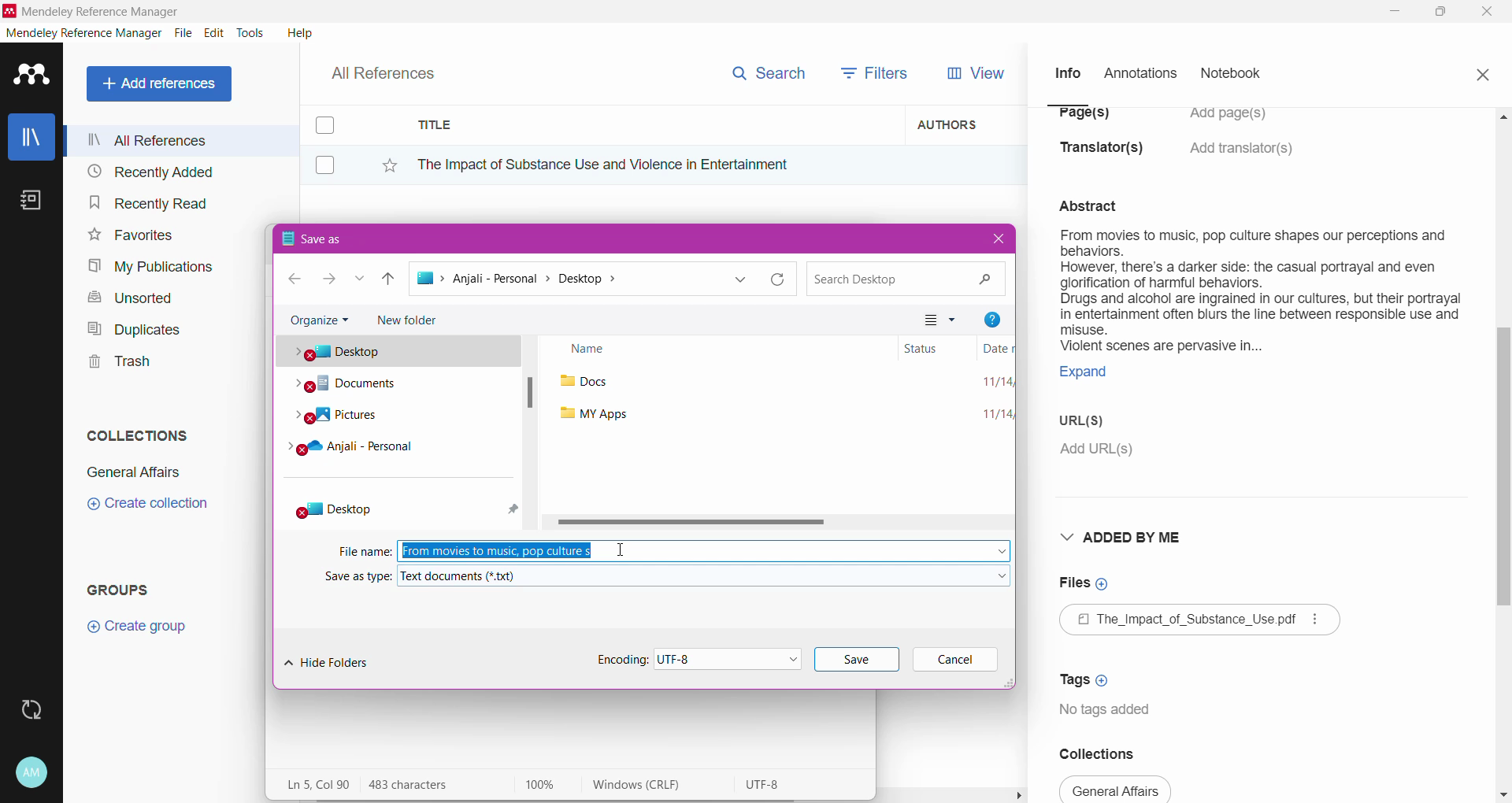  I want to click on Desktop, so click(371, 509).